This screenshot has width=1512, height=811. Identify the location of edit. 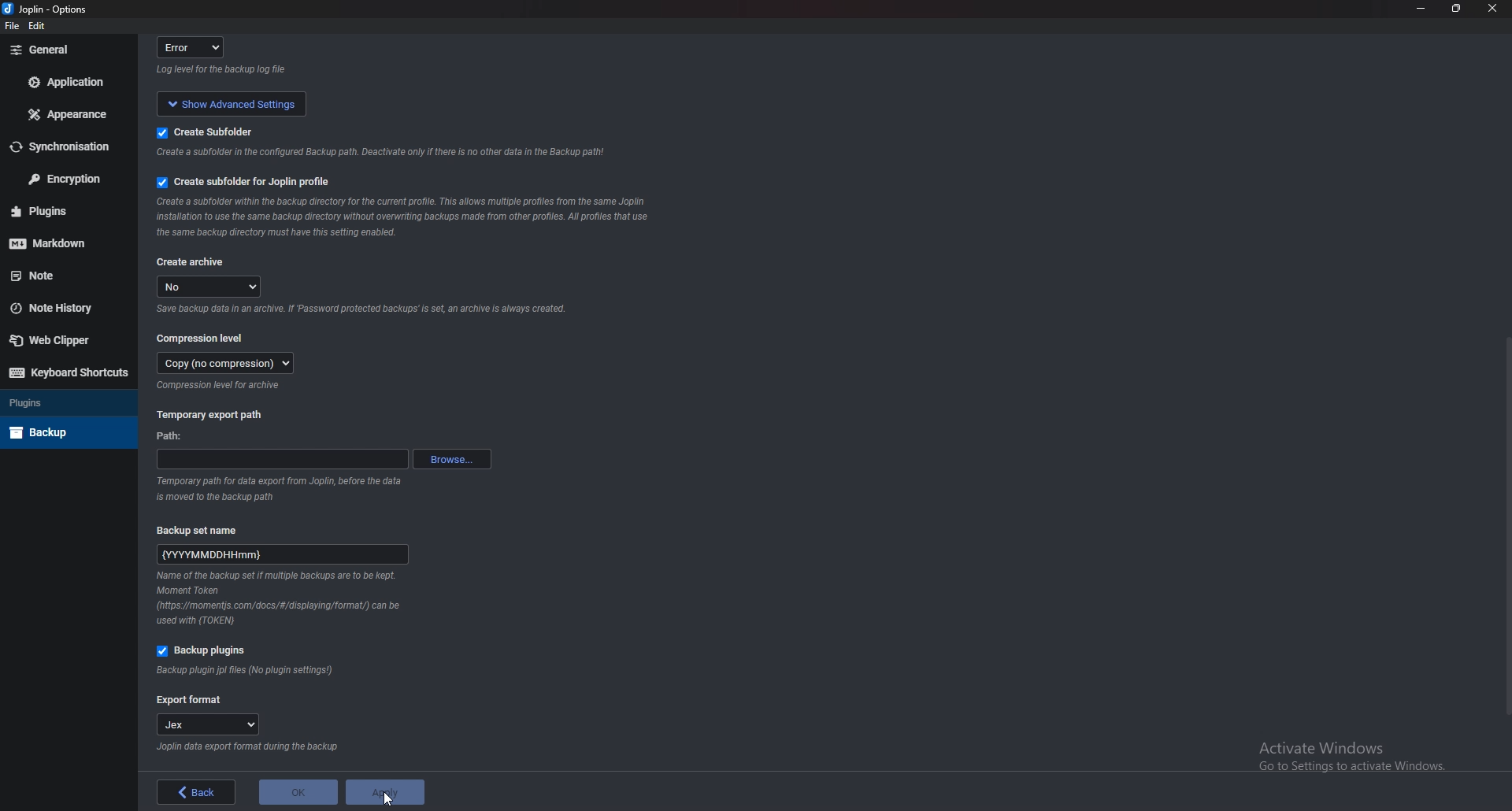
(39, 28).